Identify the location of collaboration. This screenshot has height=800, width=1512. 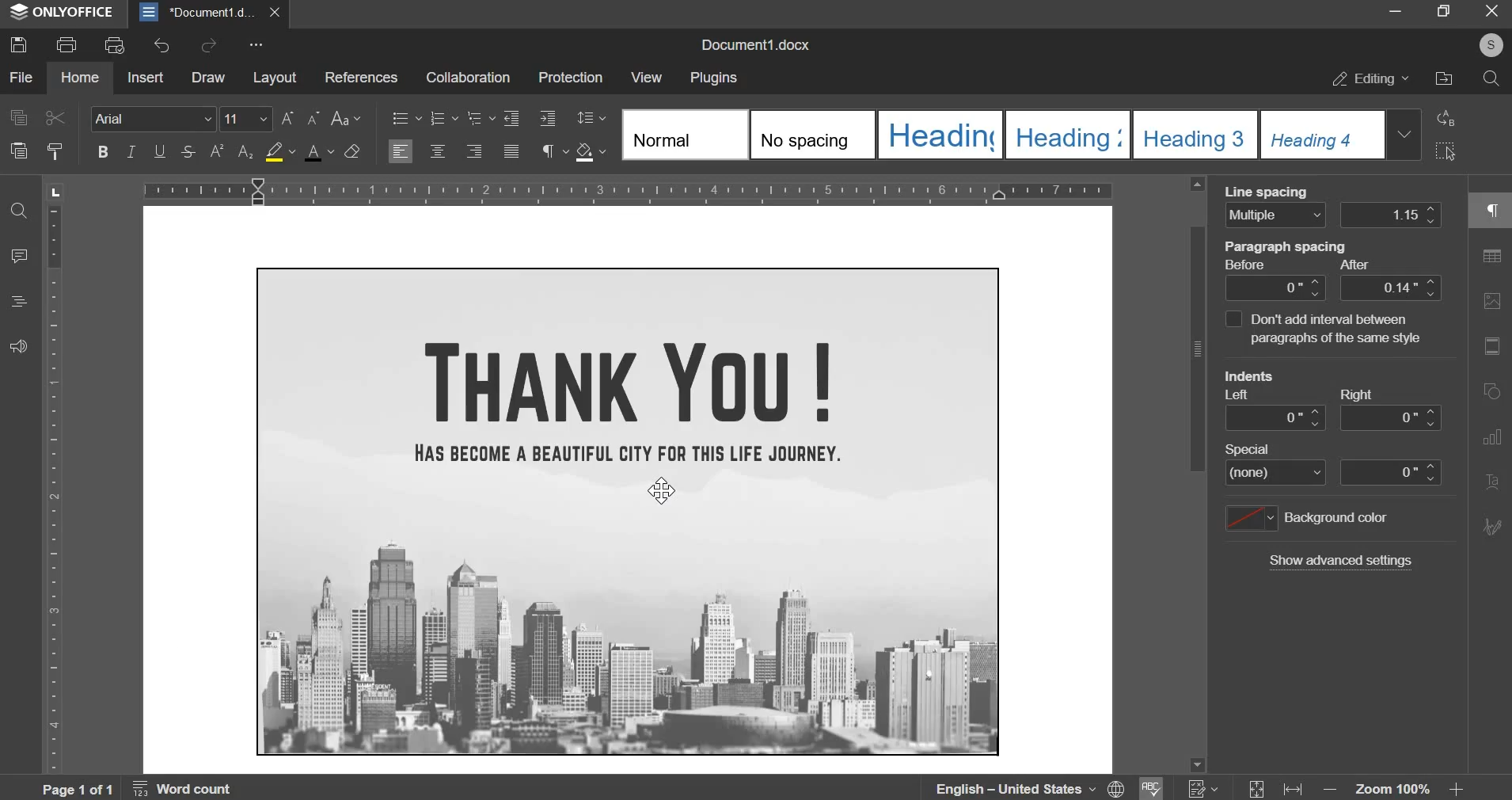
(468, 77).